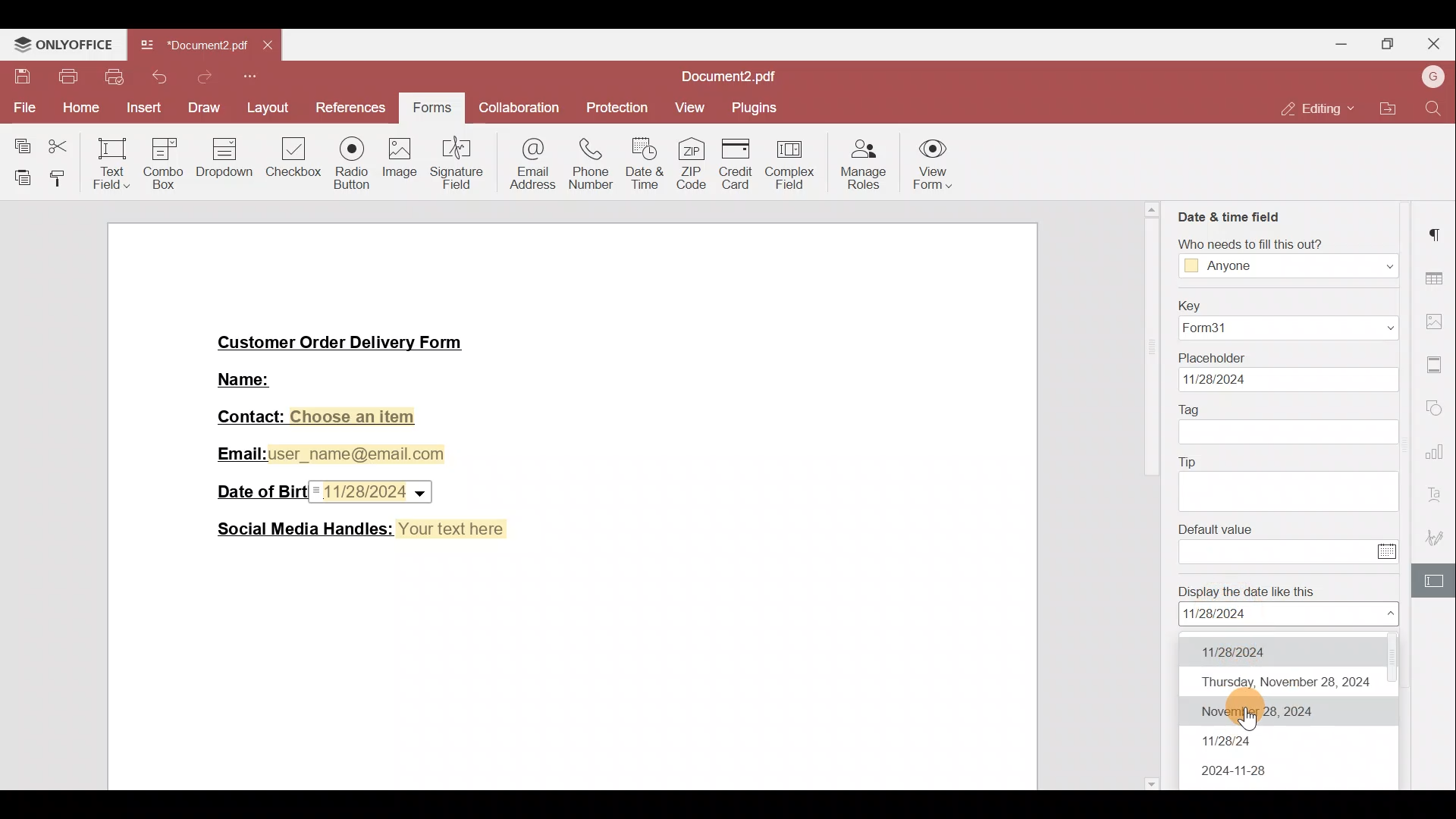  Describe the element at coordinates (110, 163) in the screenshot. I see `Text field` at that location.